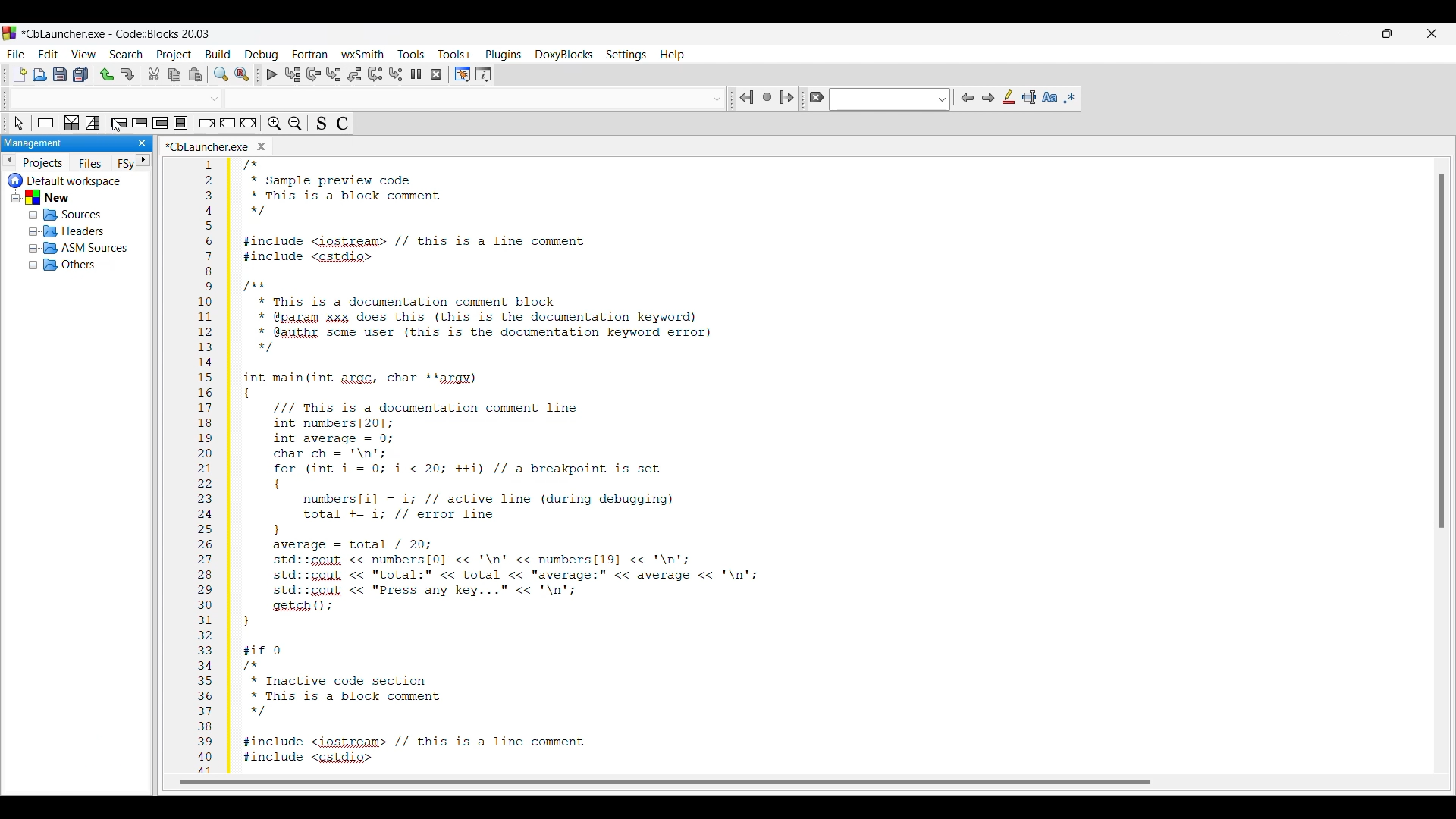  I want to click on Decision, so click(72, 123).